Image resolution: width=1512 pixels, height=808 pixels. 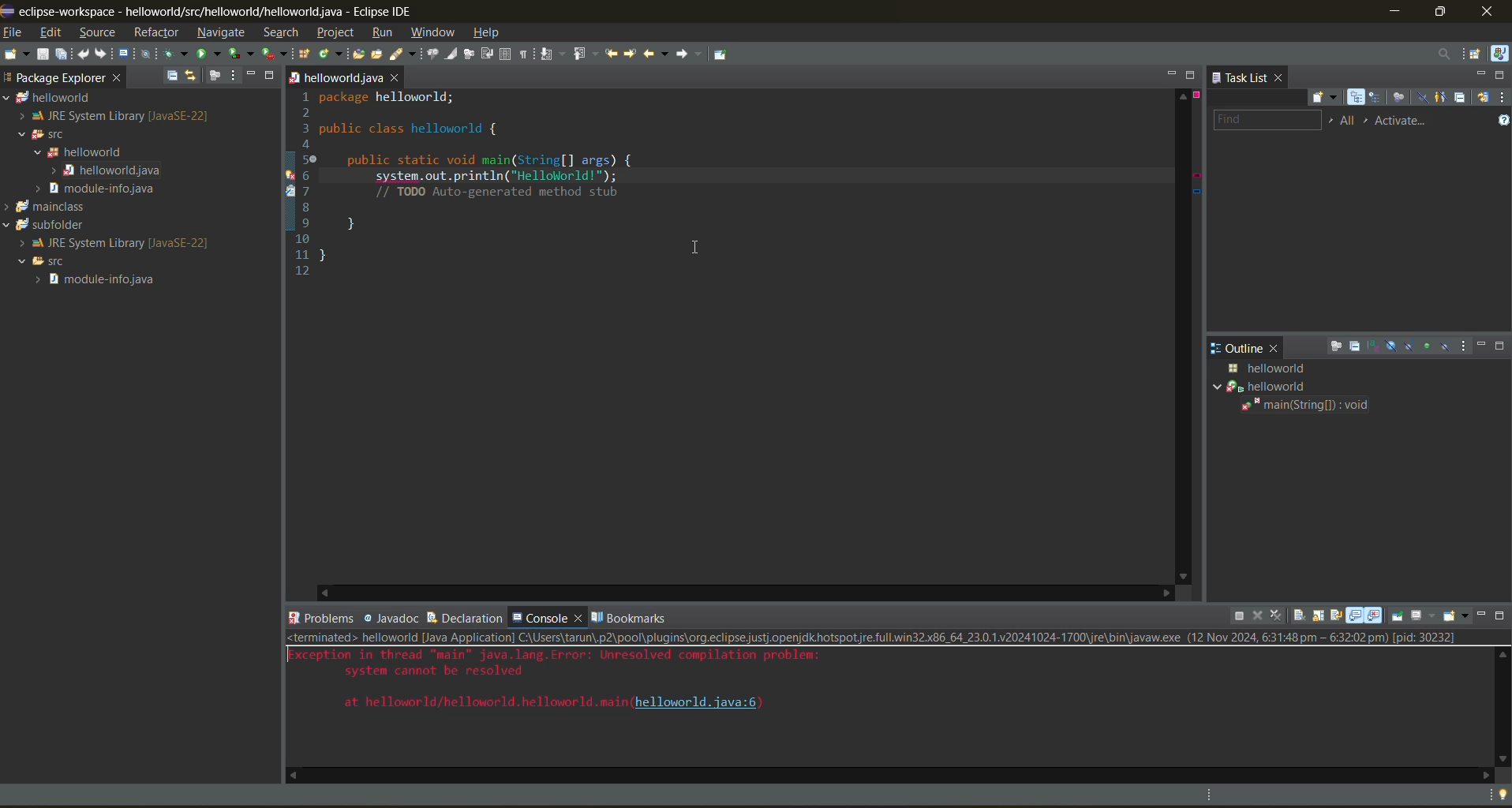 What do you see at coordinates (47, 133) in the screenshot?
I see `SFC` at bounding box center [47, 133].